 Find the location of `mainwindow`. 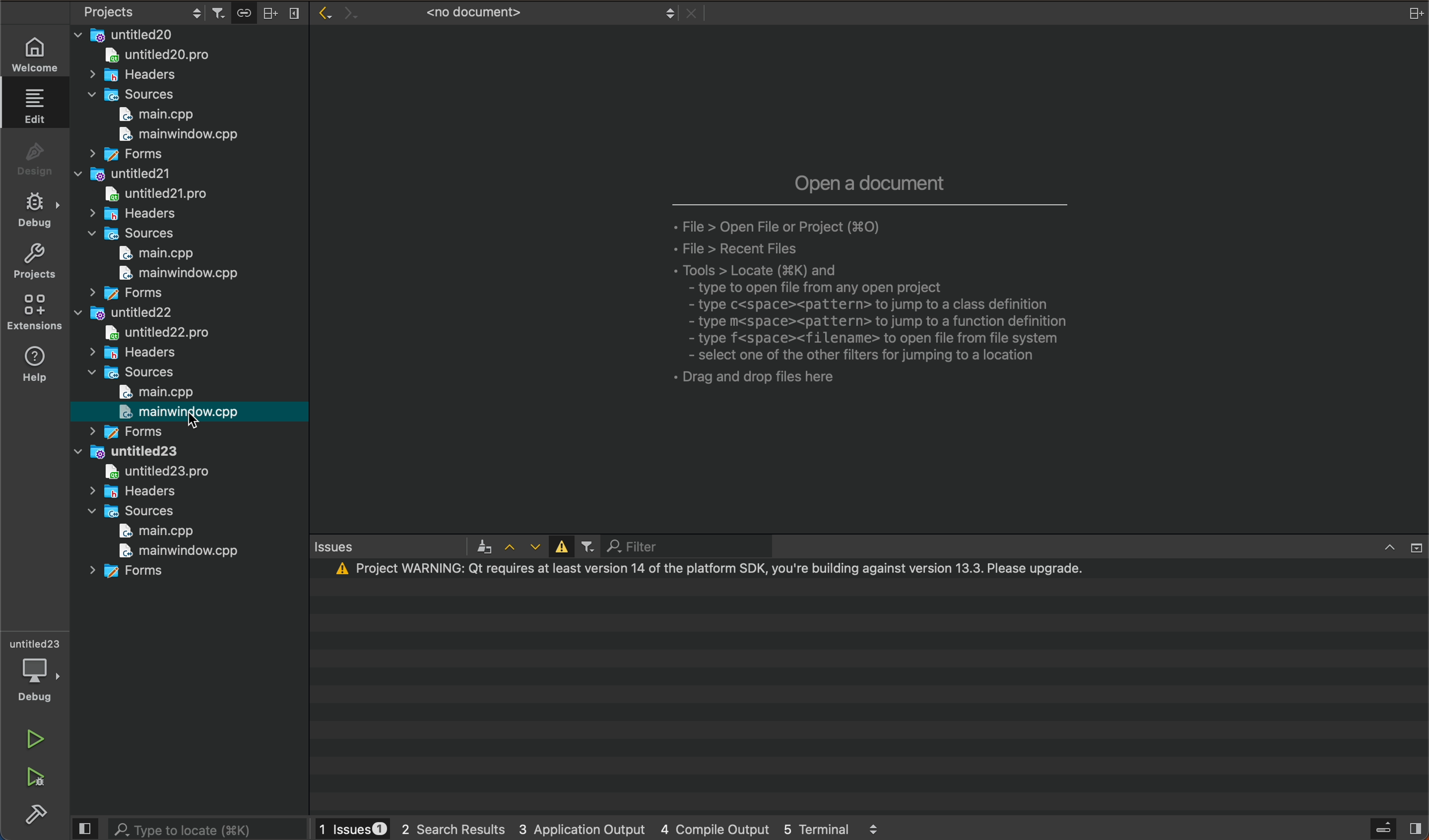

mainwindow is located at coordinates (178, 411).